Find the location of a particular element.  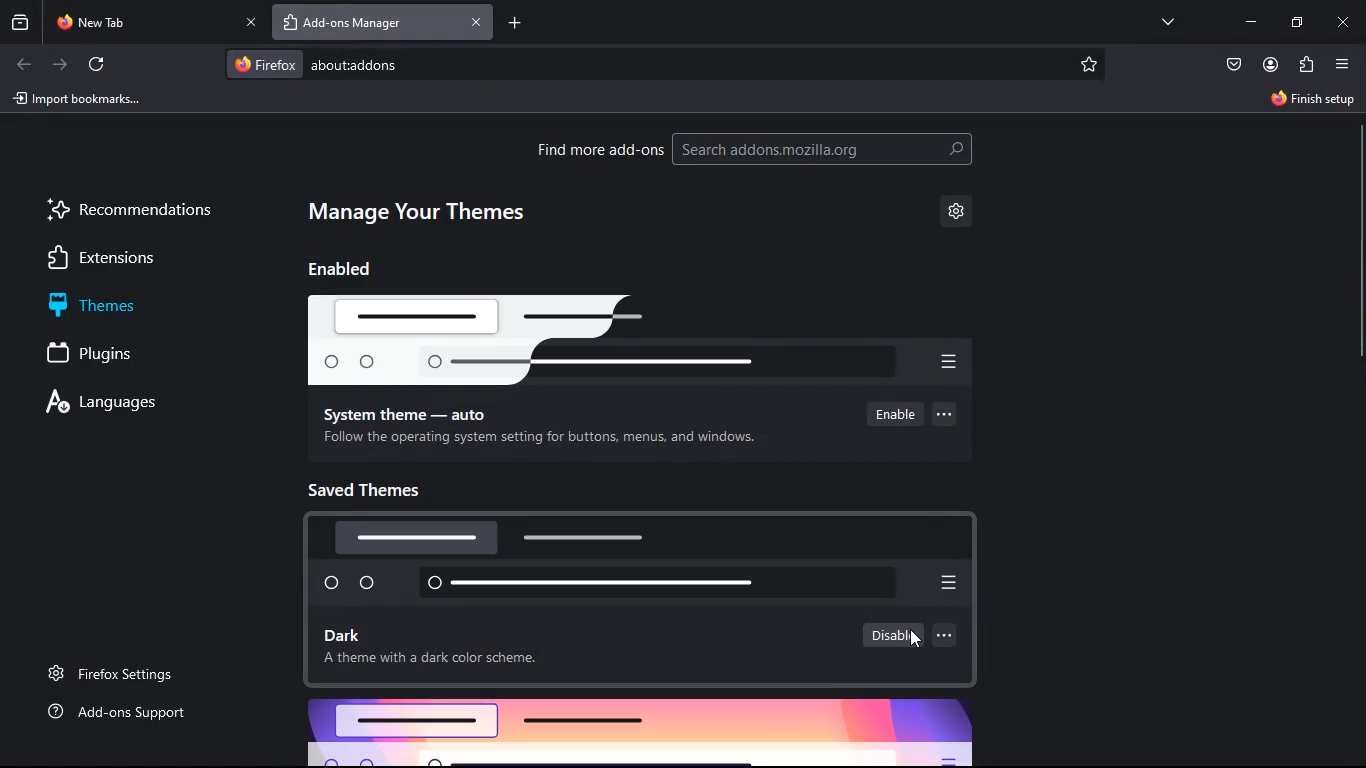

logo is located at coordinates (653, 340).